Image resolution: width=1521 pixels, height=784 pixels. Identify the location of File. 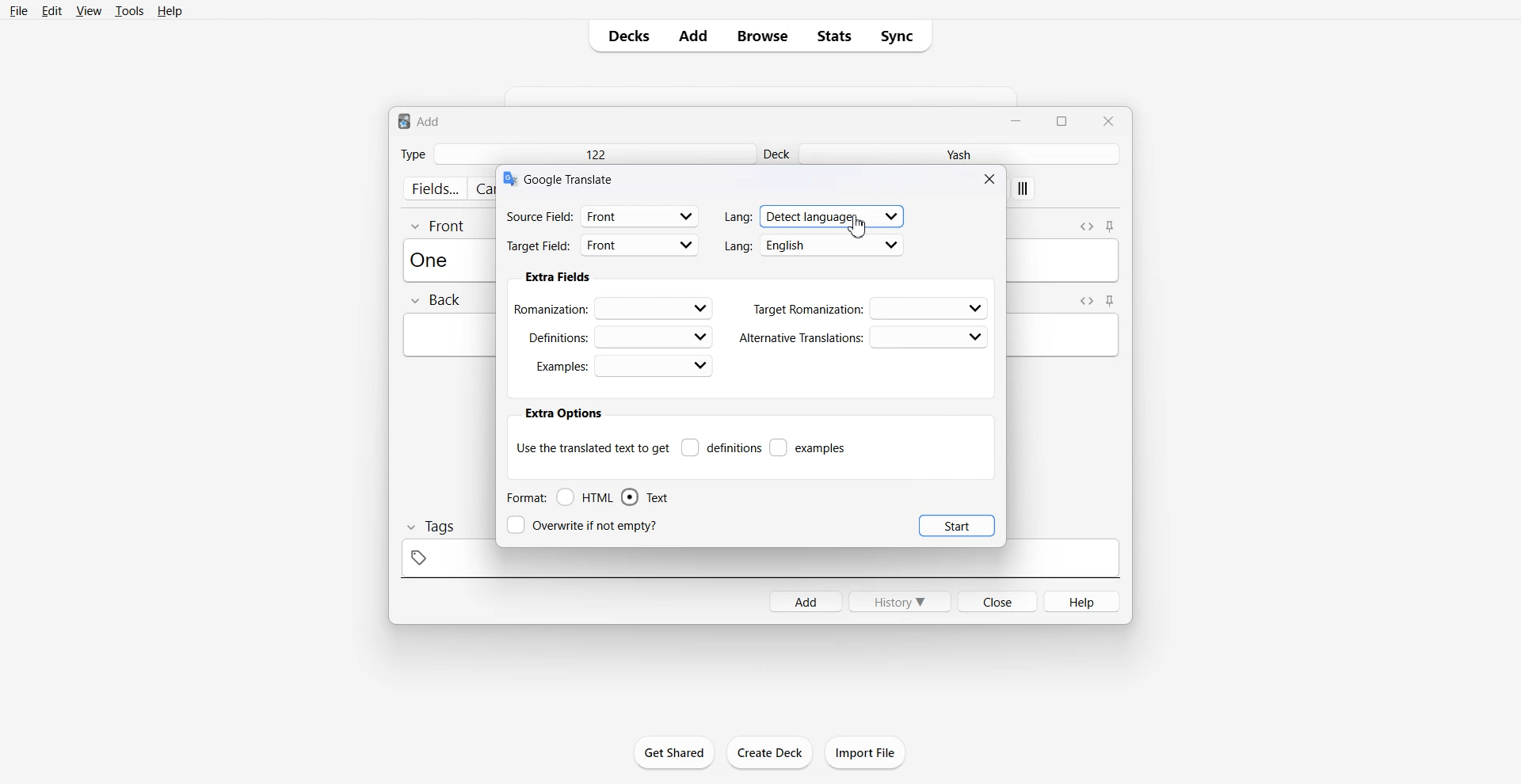
(20, 10).